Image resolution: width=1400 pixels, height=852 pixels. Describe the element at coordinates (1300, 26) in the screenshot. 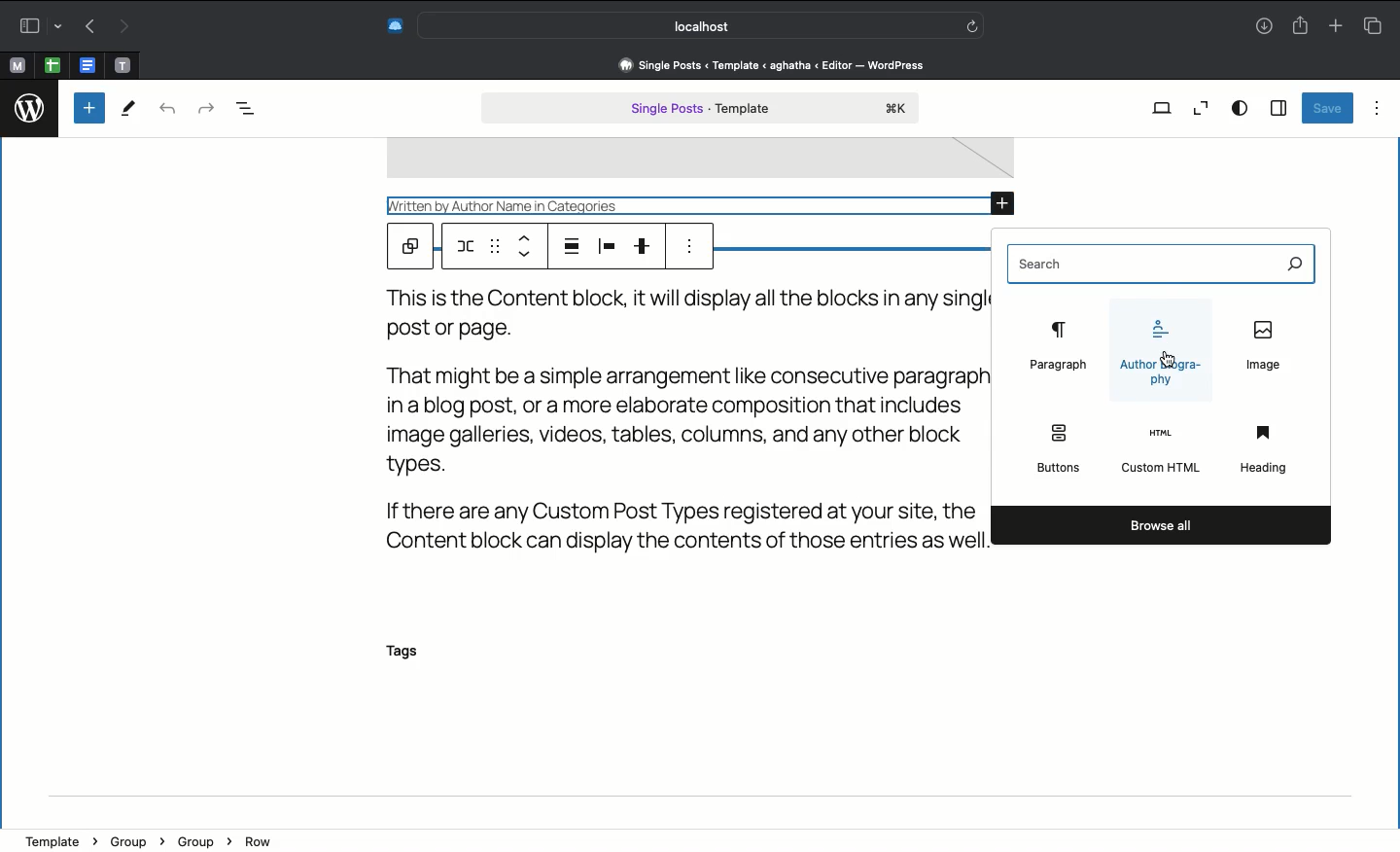

I see `Share` at that location.